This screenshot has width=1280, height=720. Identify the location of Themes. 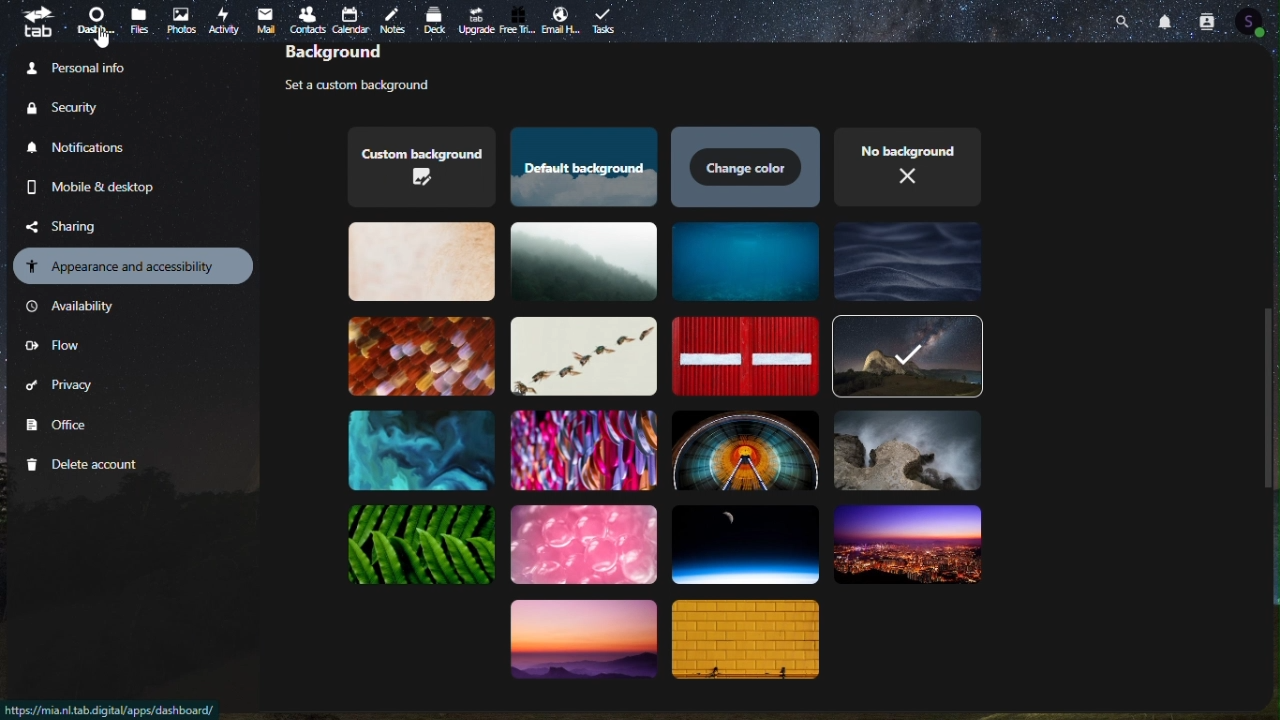
(908, 262).